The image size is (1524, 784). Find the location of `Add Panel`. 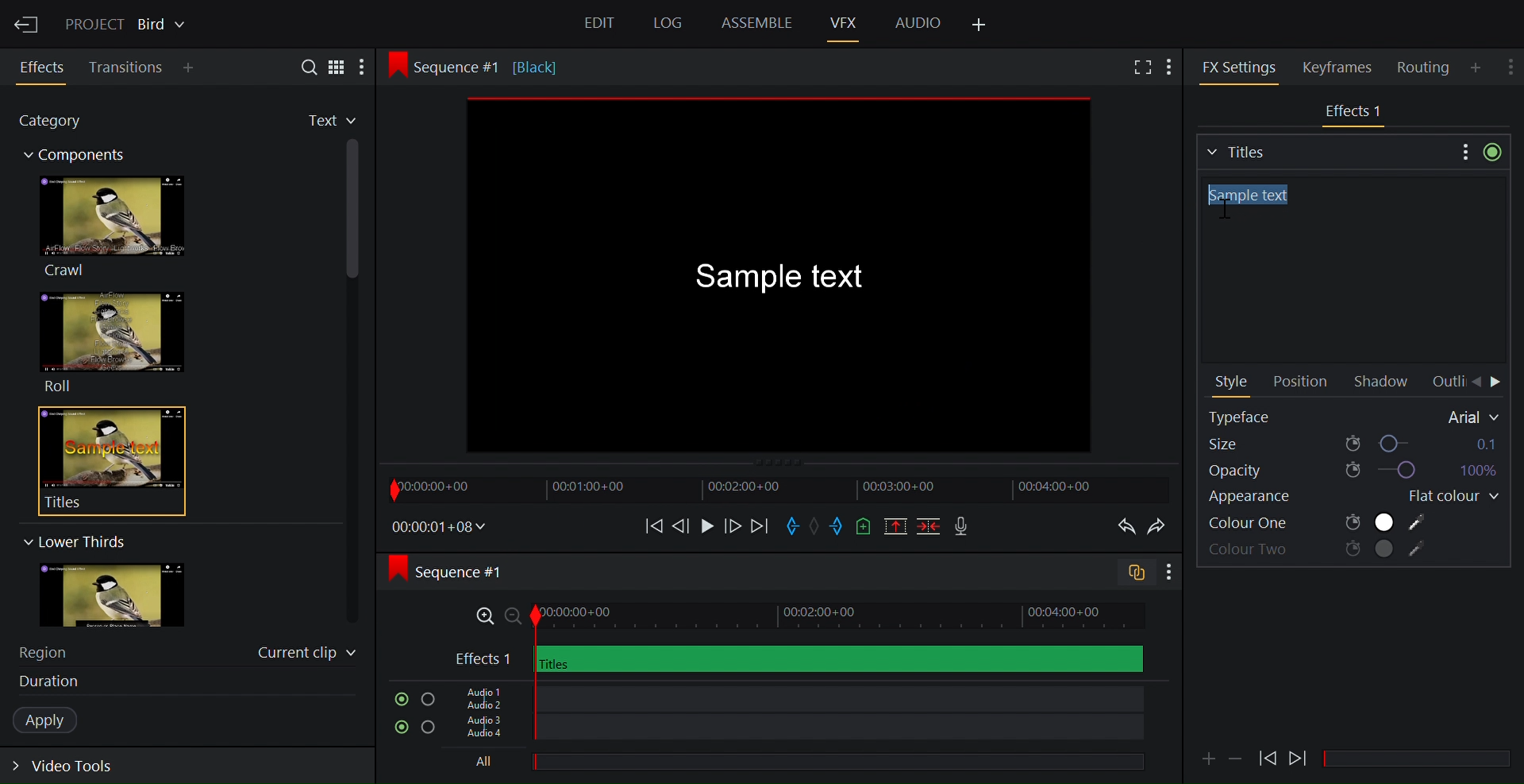

Add Panel is located at coordinates (192, 69).